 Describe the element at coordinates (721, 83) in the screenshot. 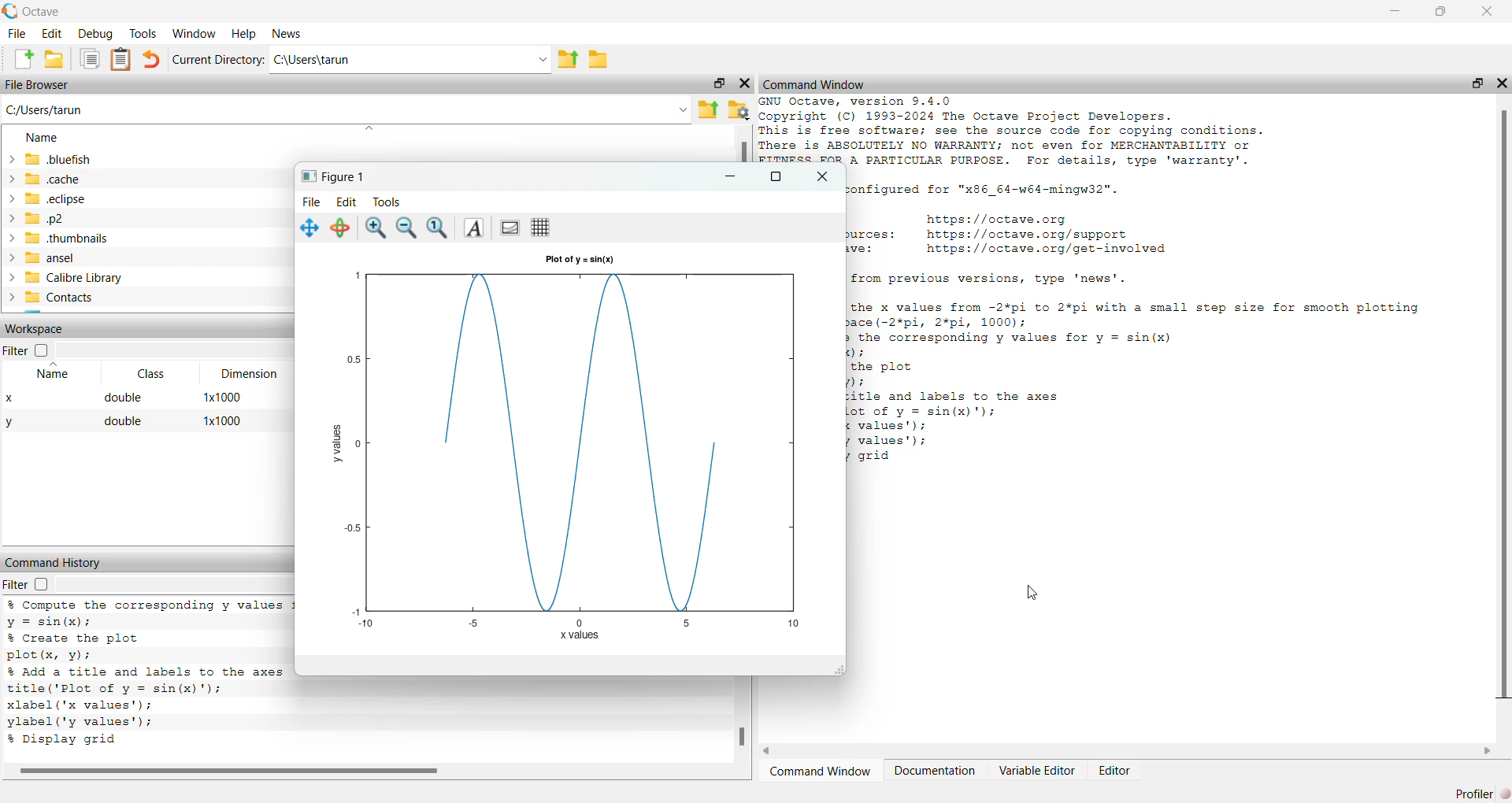

I see `resize` at that location.